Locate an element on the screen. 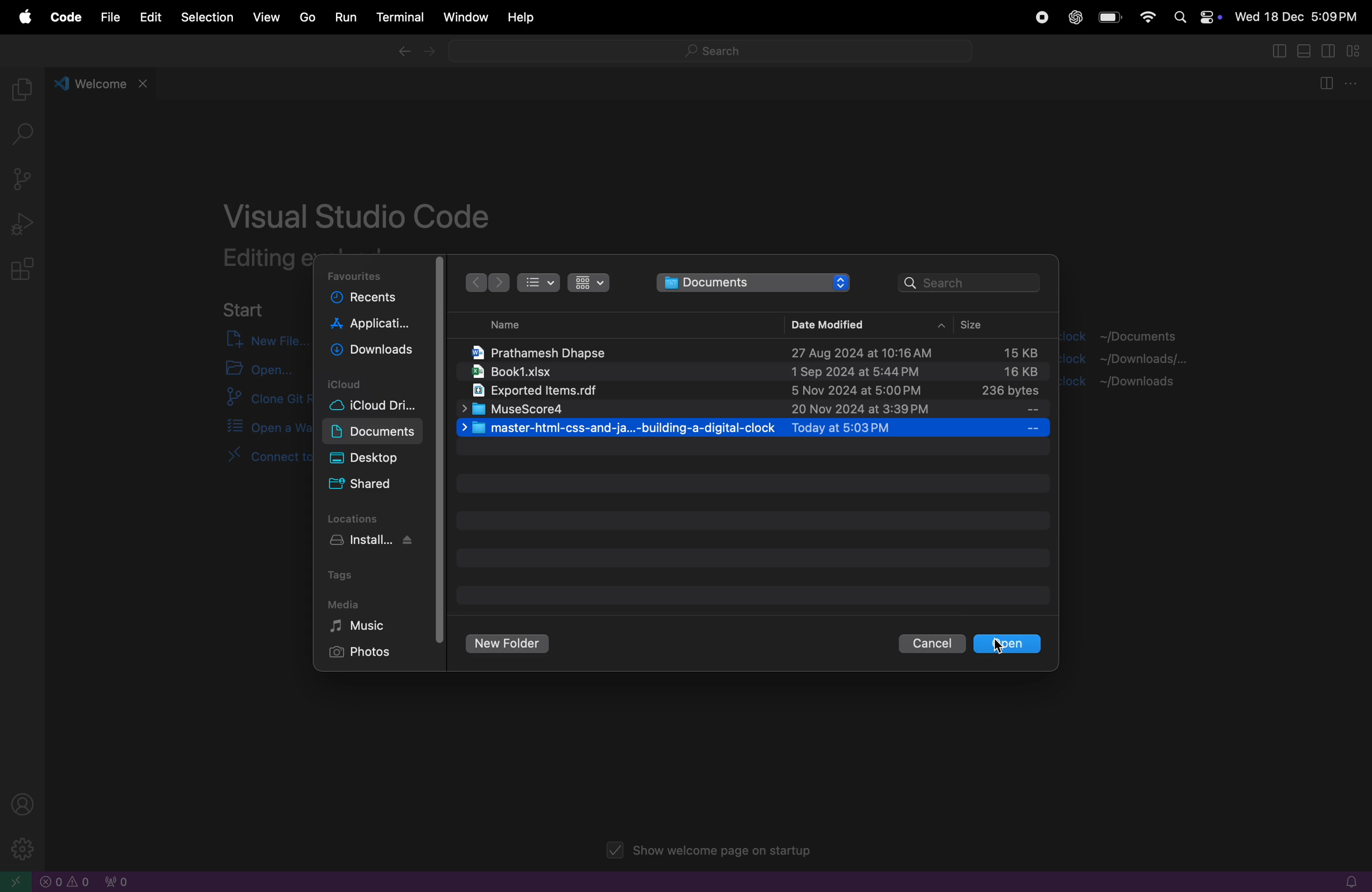  extensions is located at coordinates (25, 270).